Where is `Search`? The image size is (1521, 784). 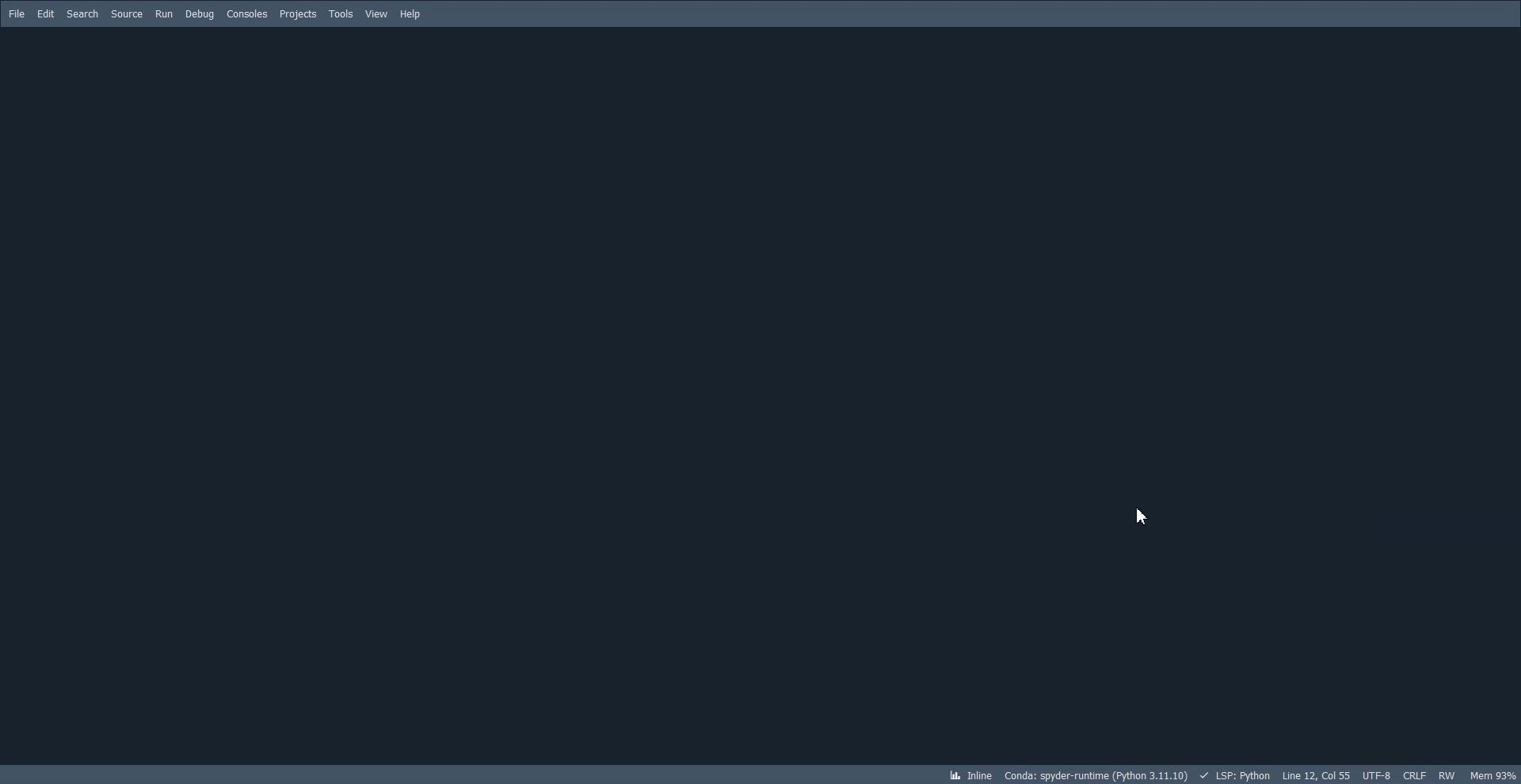 Search is located at coordinates (83, 14).